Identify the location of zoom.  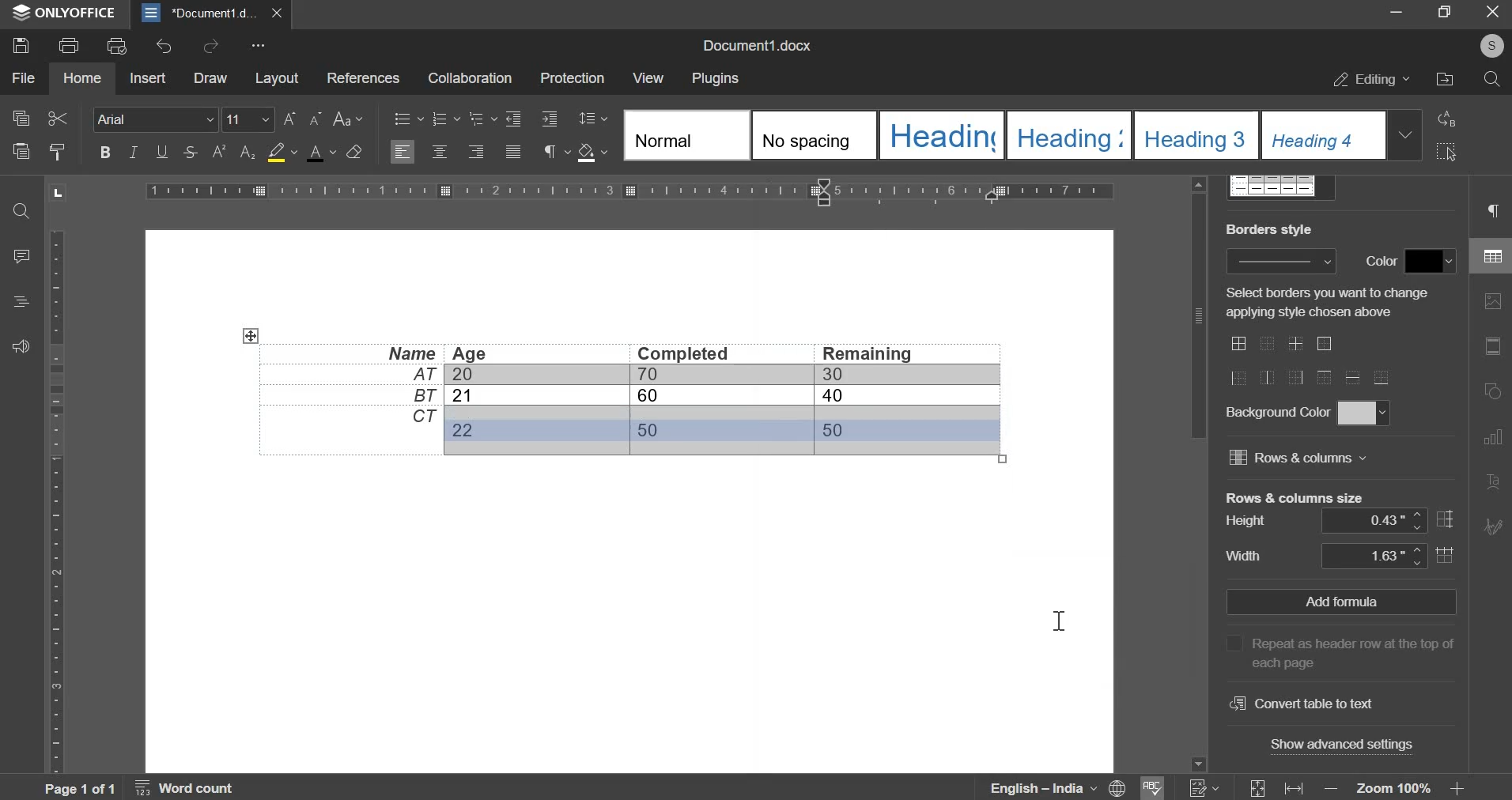
(1392, 789).